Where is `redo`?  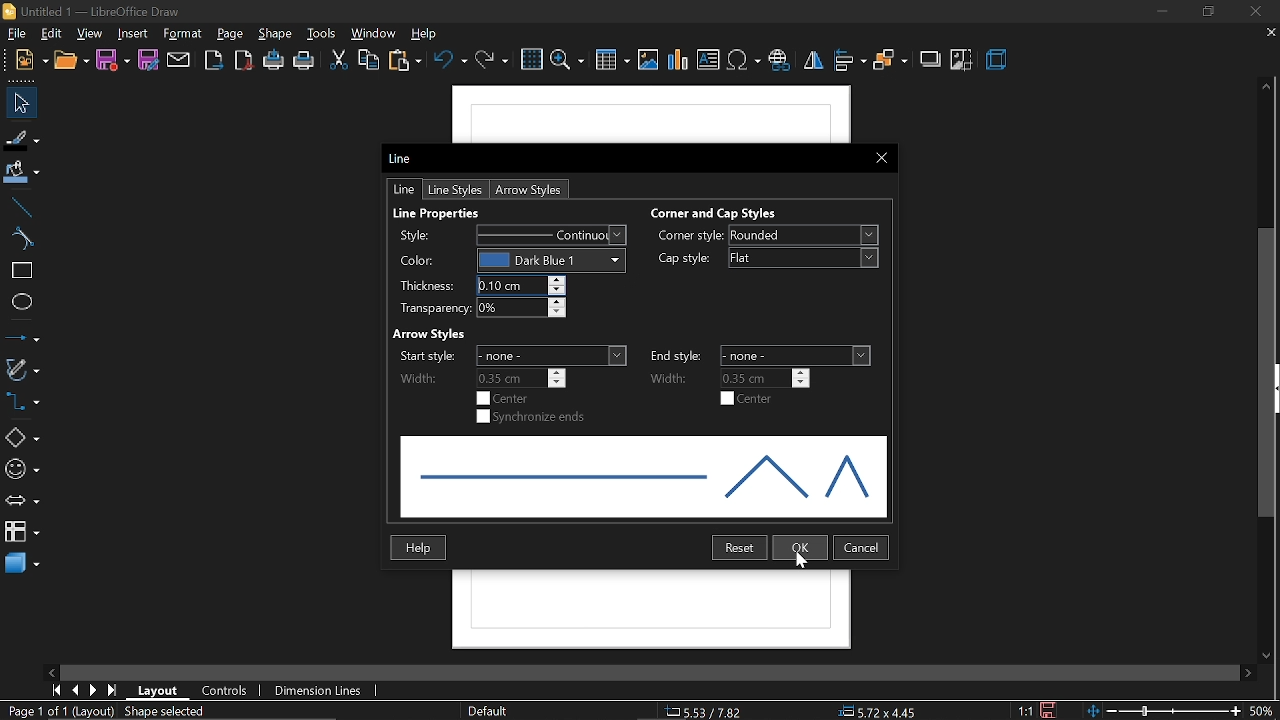
redo is located at coordinates (491, 65).